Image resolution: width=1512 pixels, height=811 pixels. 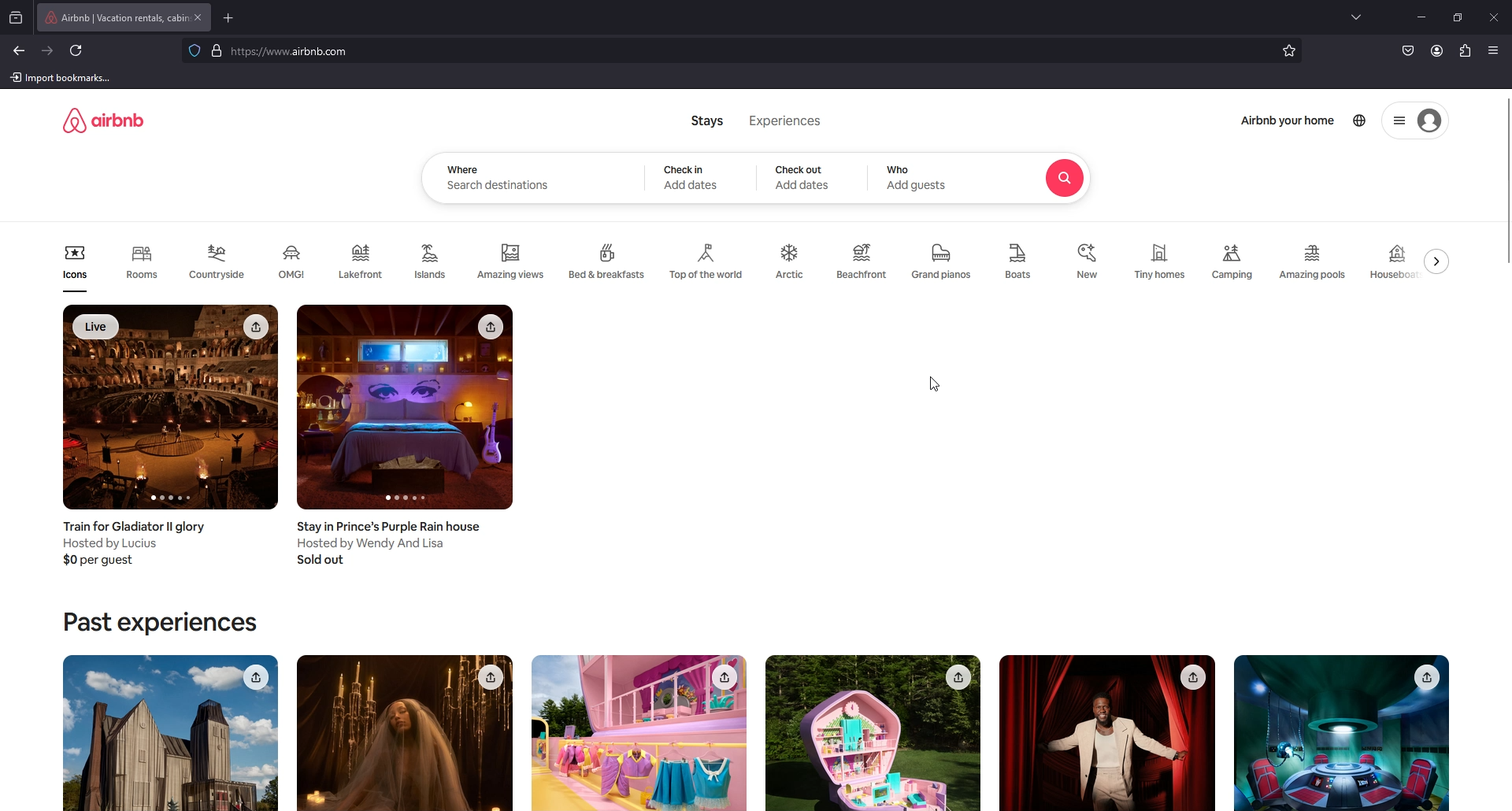 I want to click on Search destinations, so click(x=500, y=187).